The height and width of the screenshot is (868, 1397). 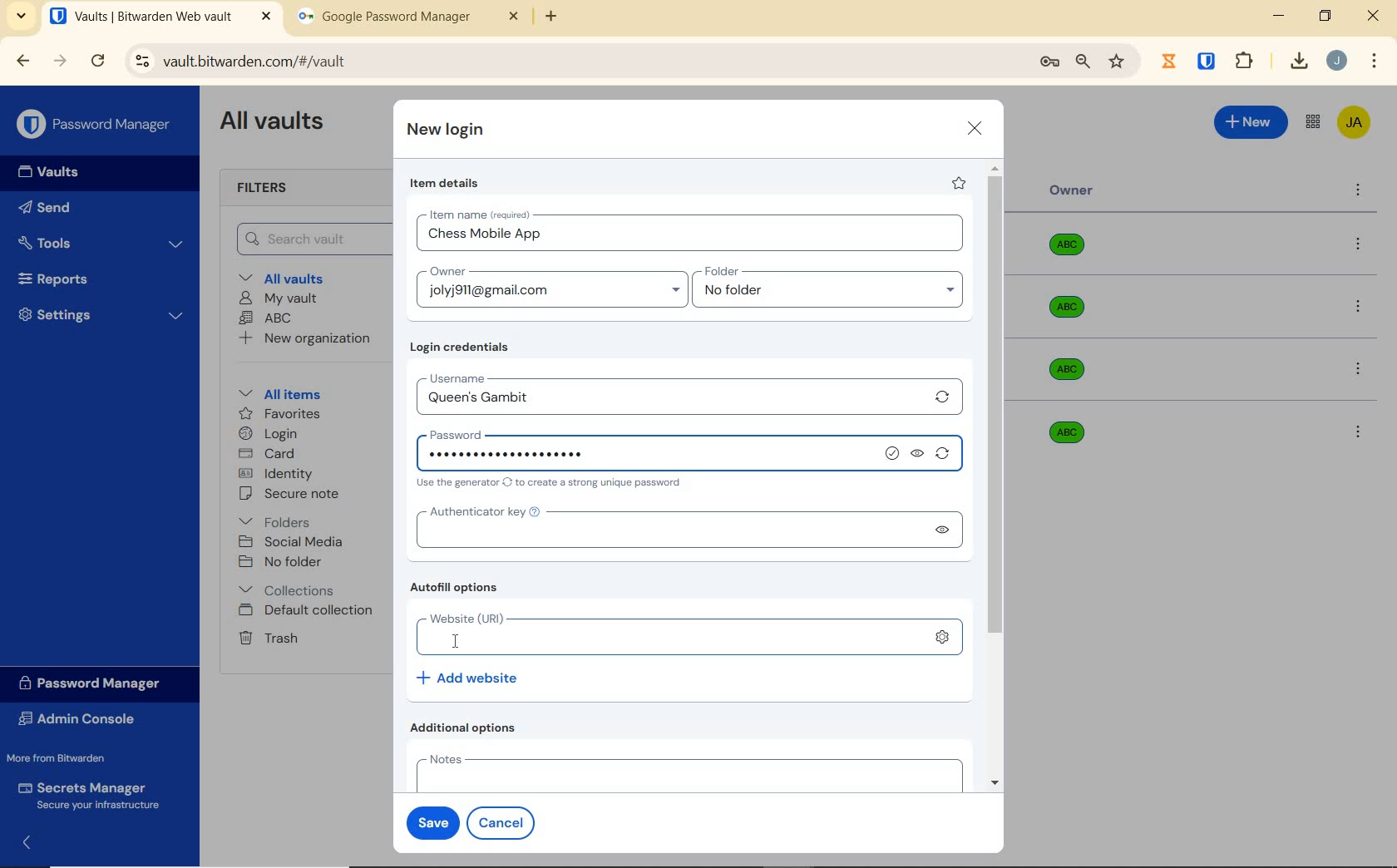 I want to click on forward, so click(x=61, y=61).